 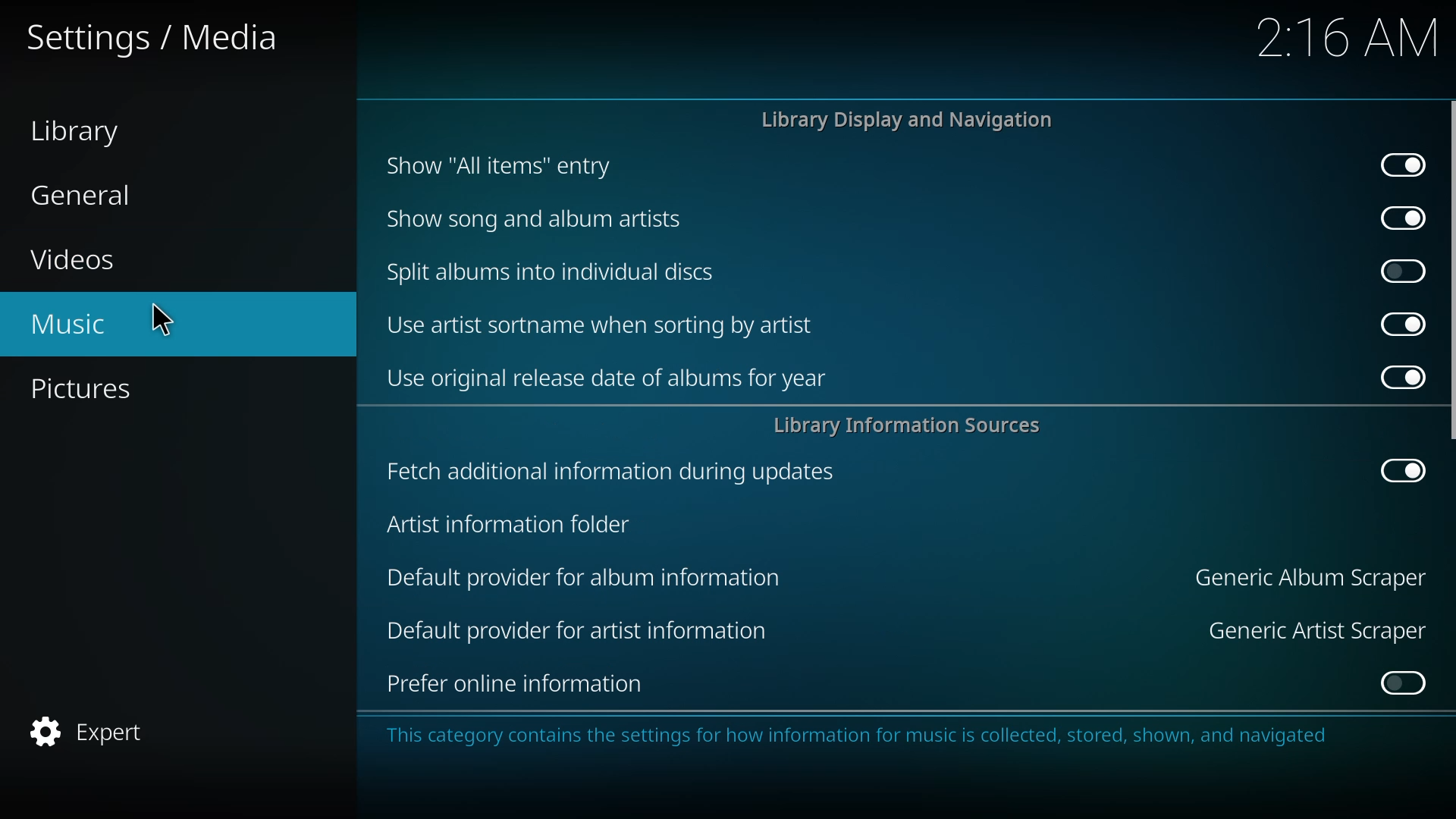 I want to click on generic, so click(x=1307, y=577).